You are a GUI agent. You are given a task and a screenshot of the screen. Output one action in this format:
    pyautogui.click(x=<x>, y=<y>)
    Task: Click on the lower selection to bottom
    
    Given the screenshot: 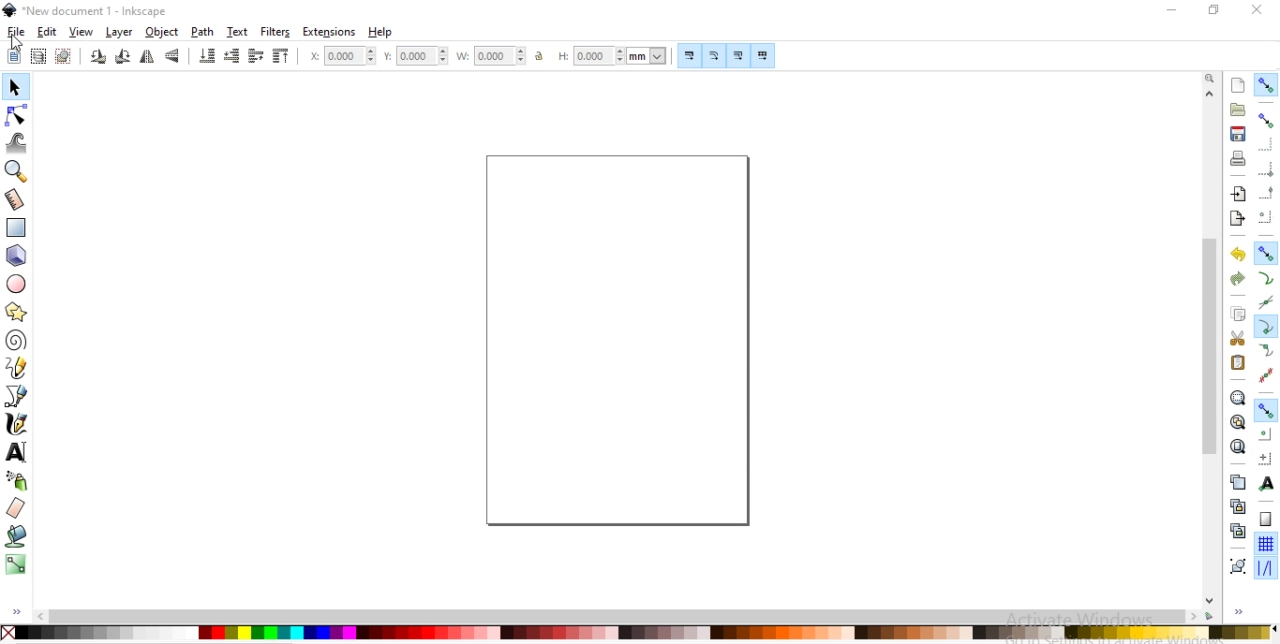 What is the action you would take?
    pyautogui.click(x=208, y=56)
    